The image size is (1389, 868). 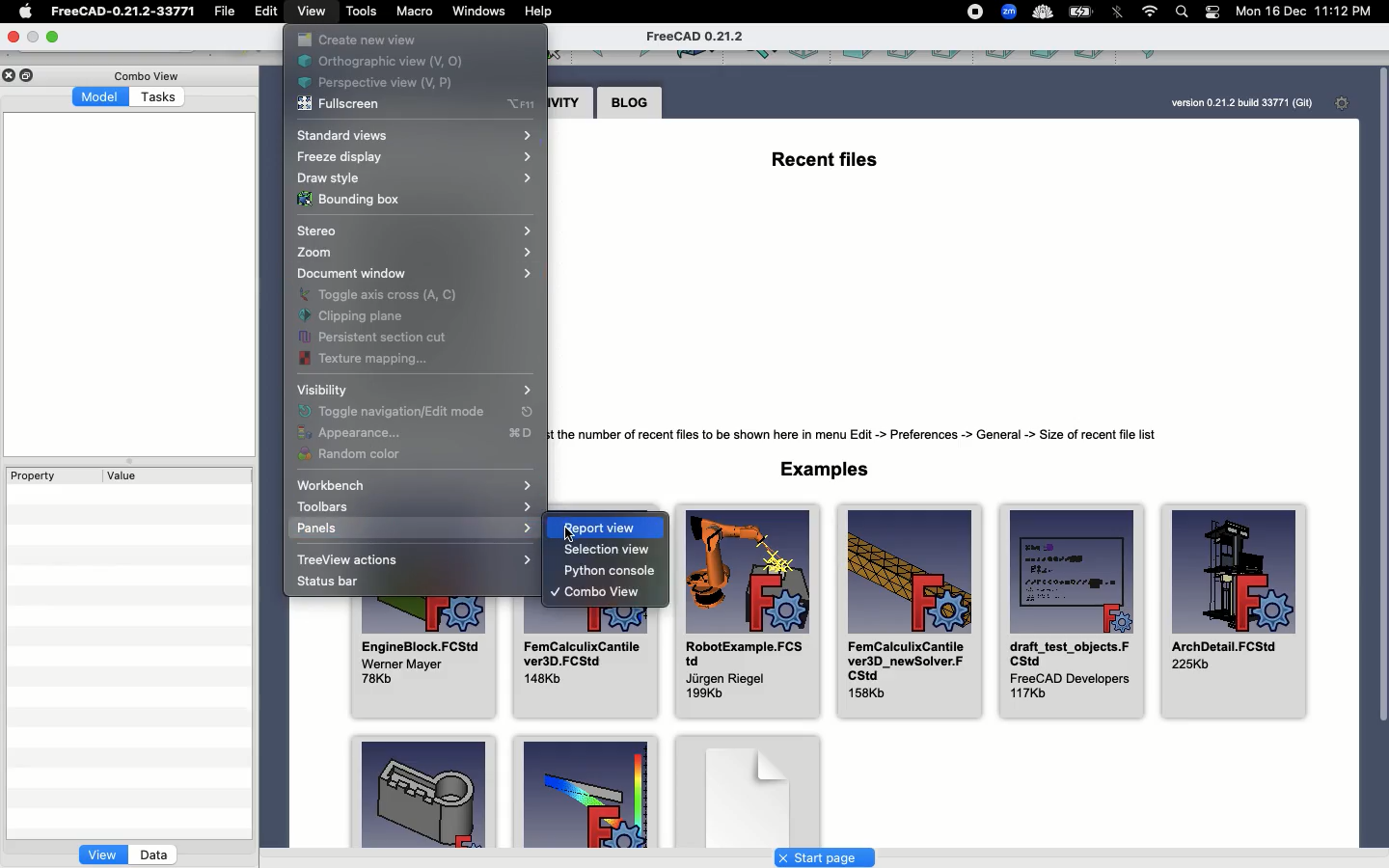 What do you see at coordinates (356, 40) in the screenshot?
I see `Create new view` at bounding box center [356, 40].